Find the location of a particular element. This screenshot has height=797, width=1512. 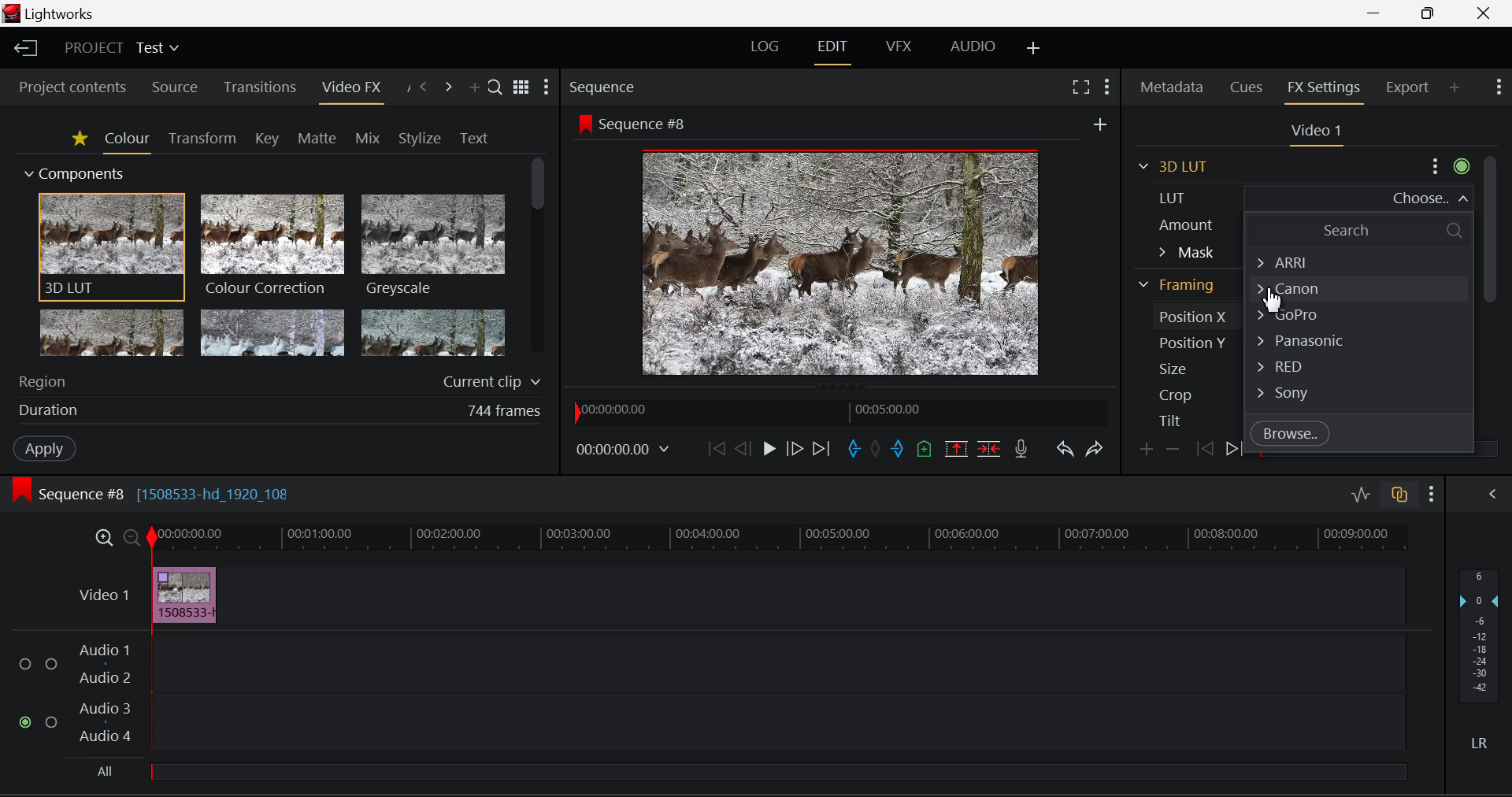

Transitions is located at coordinates (261, 87).